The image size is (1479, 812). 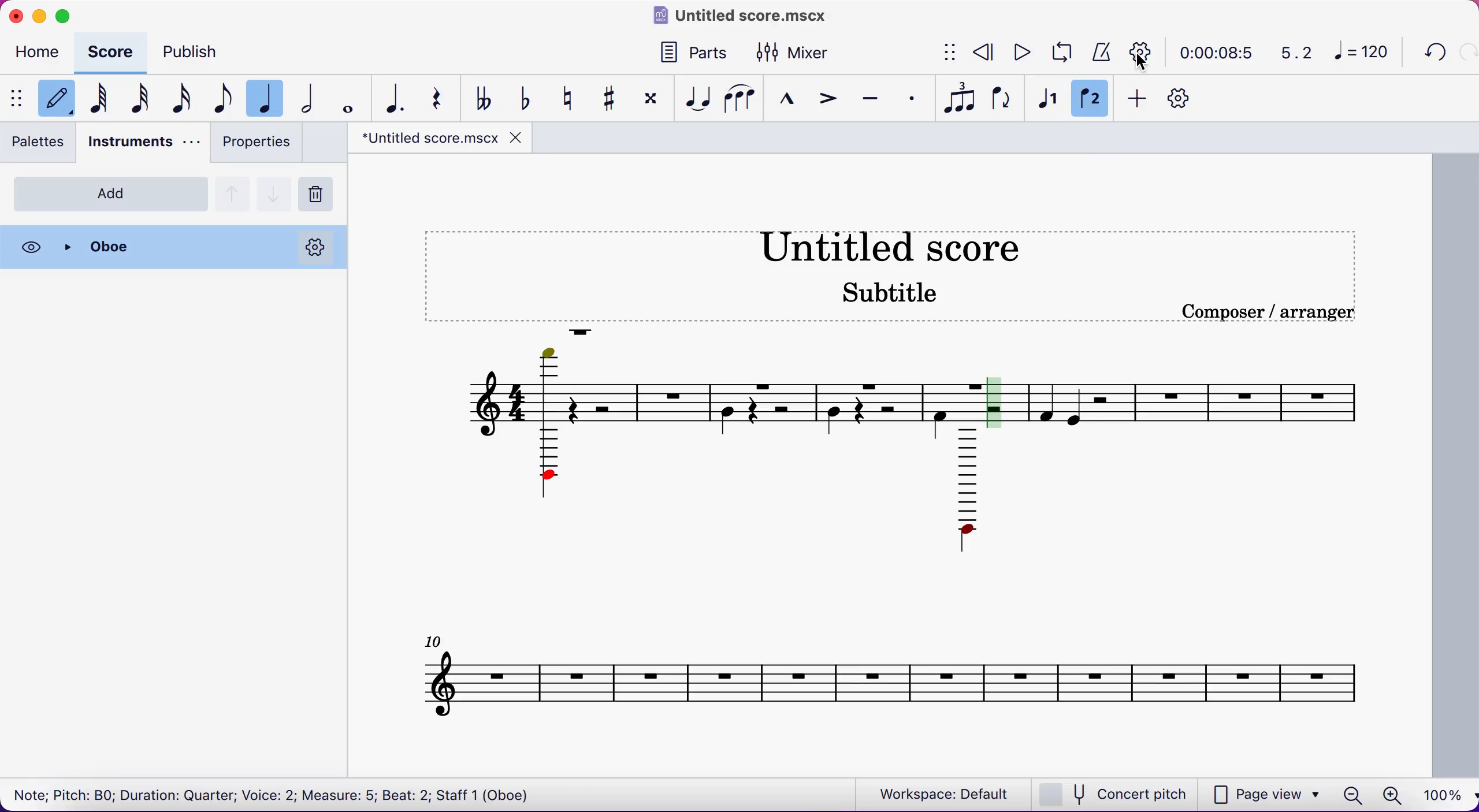 I want to click on customize toolbar, so click(x=1184, y=98).